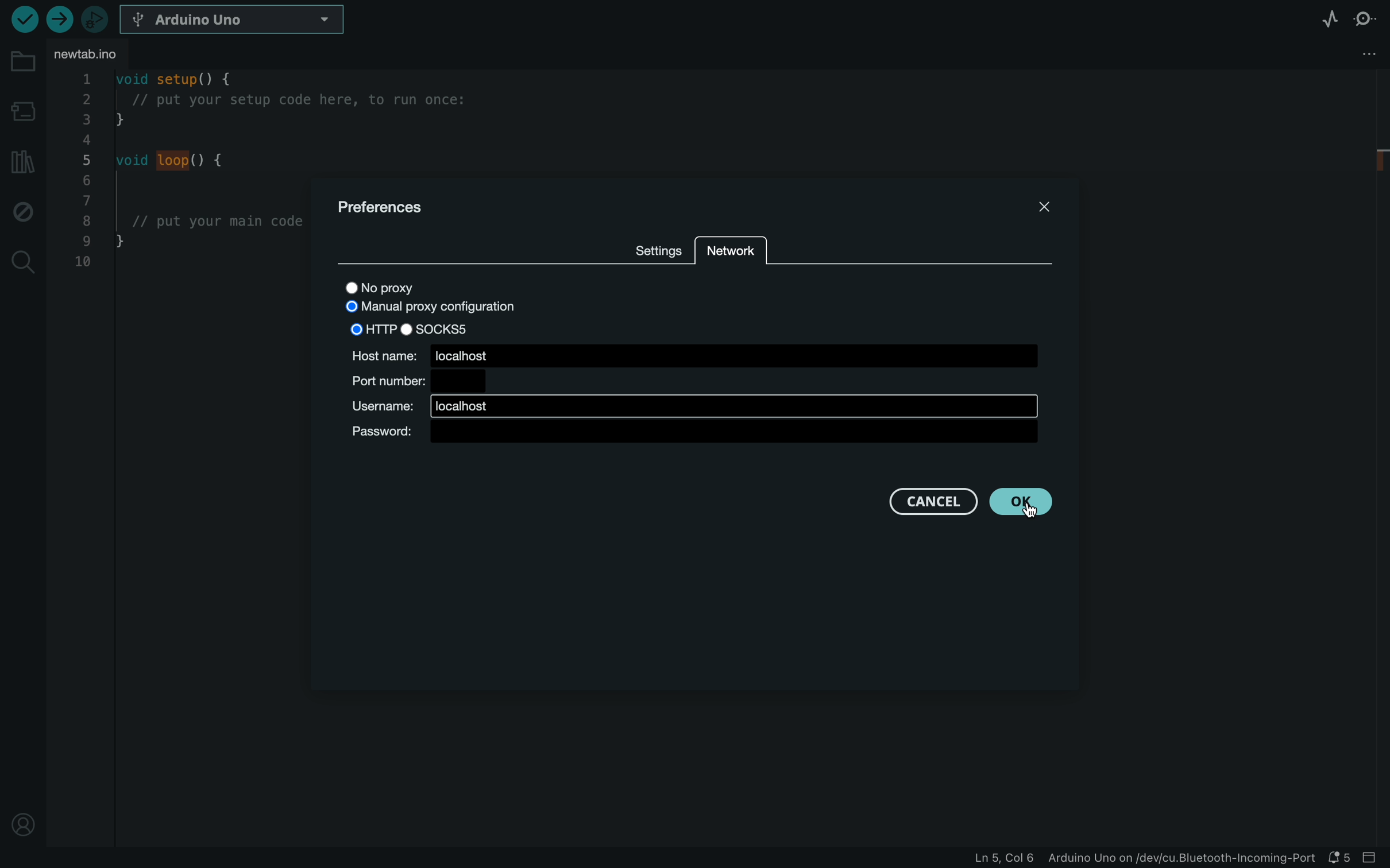 Image resolution: width=1390 pixels, height=868 pixels. I want to click on notification, so click(1341, 858).